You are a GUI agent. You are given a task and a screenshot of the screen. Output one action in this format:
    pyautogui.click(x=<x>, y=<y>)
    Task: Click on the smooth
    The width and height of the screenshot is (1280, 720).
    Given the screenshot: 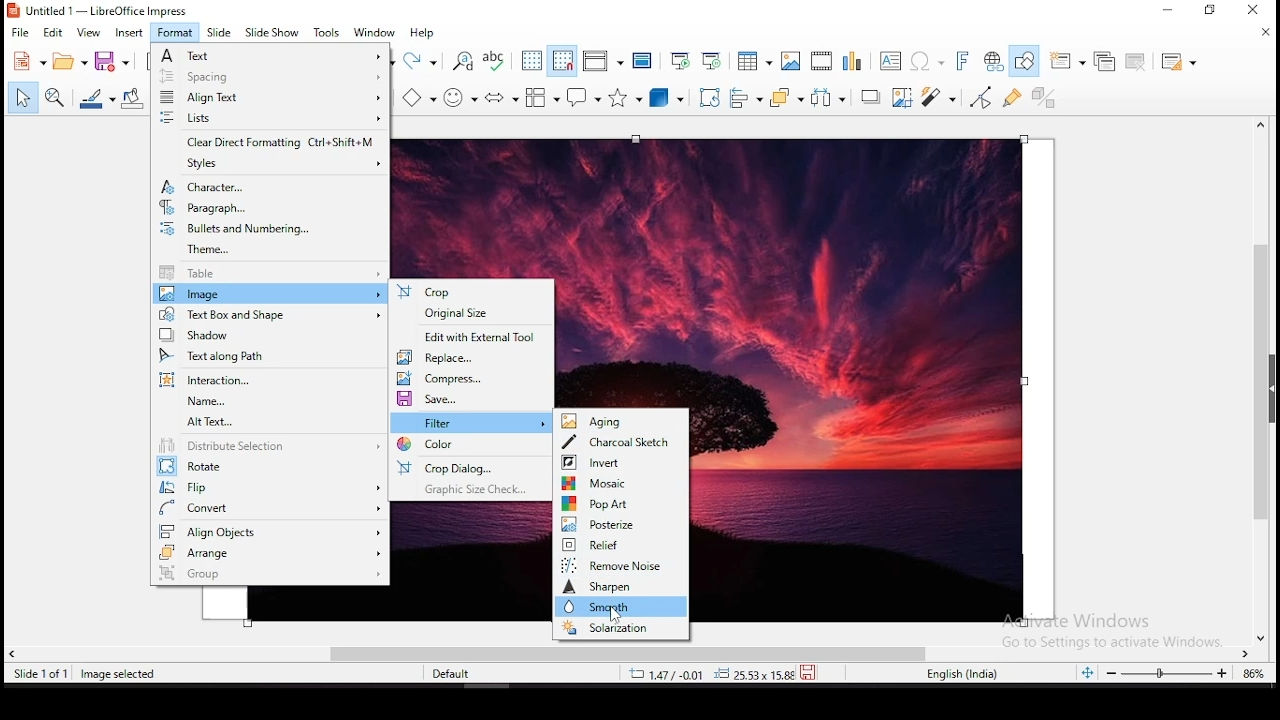 What is the action you would take?
    pyautogui.click(x=621, y=607)
    